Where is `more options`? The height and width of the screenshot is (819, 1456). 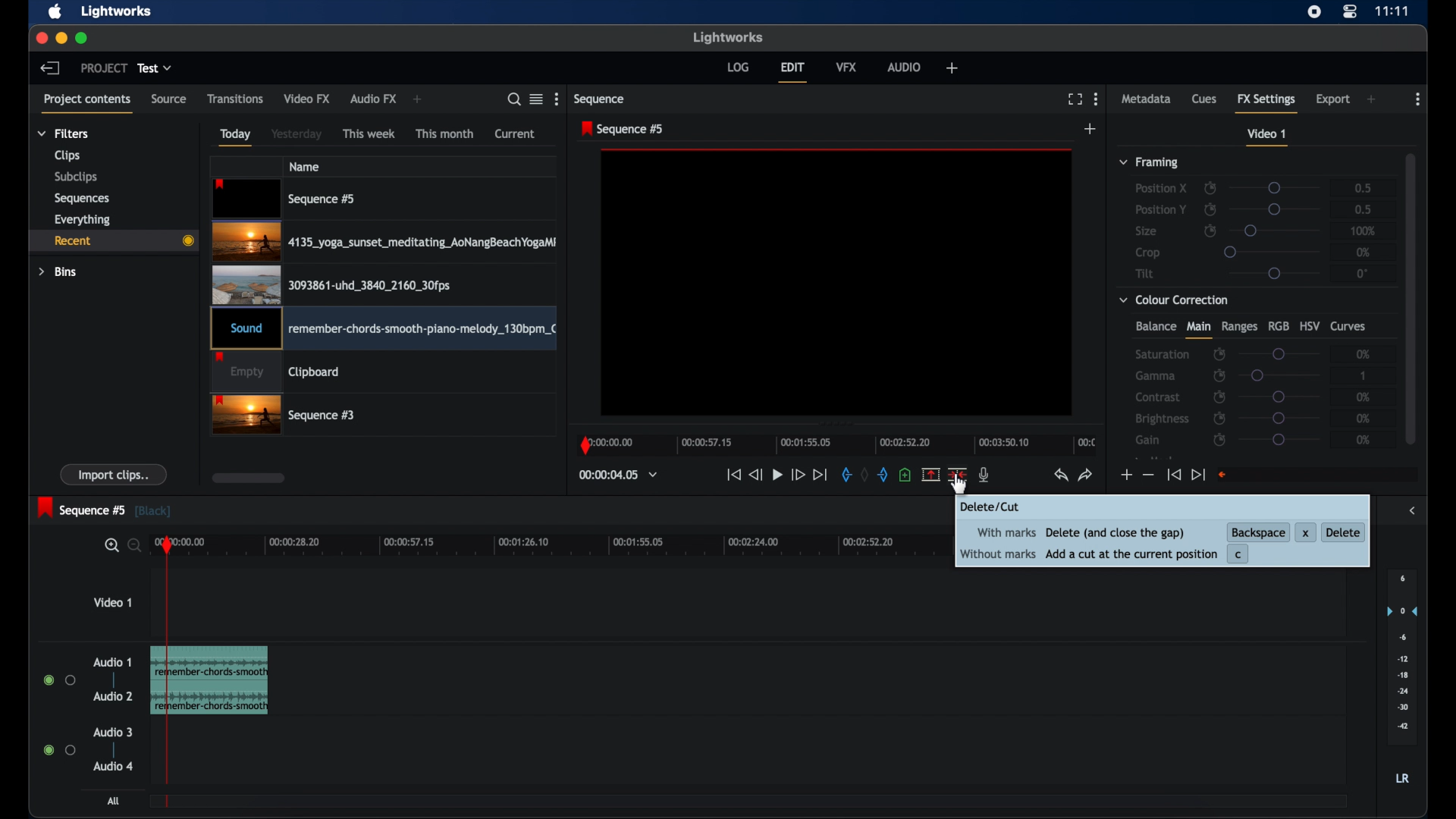 more options is located at coordinates (1097, 99).